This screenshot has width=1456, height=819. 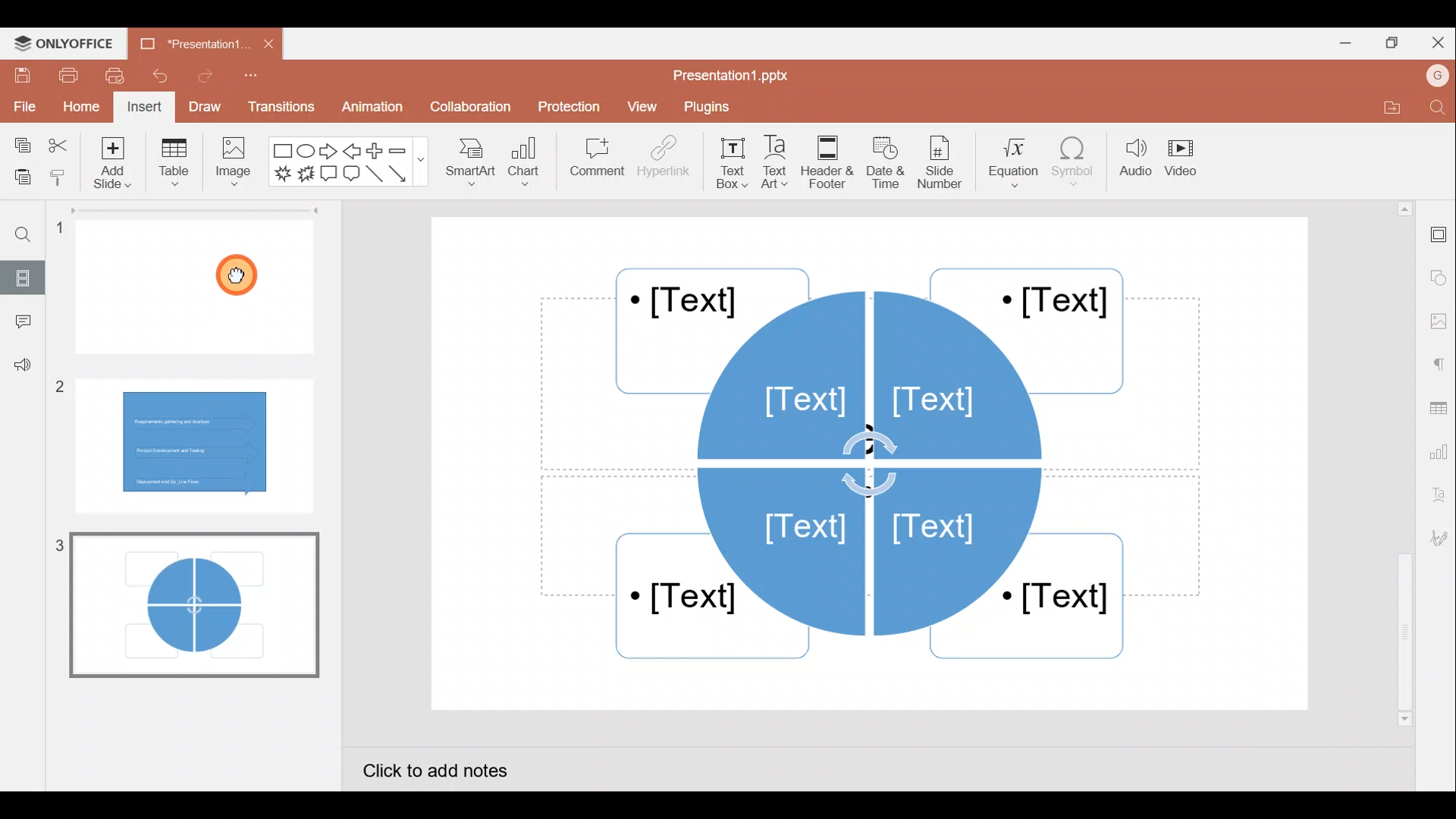 I want to click on Table settings, so click(x=1439, y=408).